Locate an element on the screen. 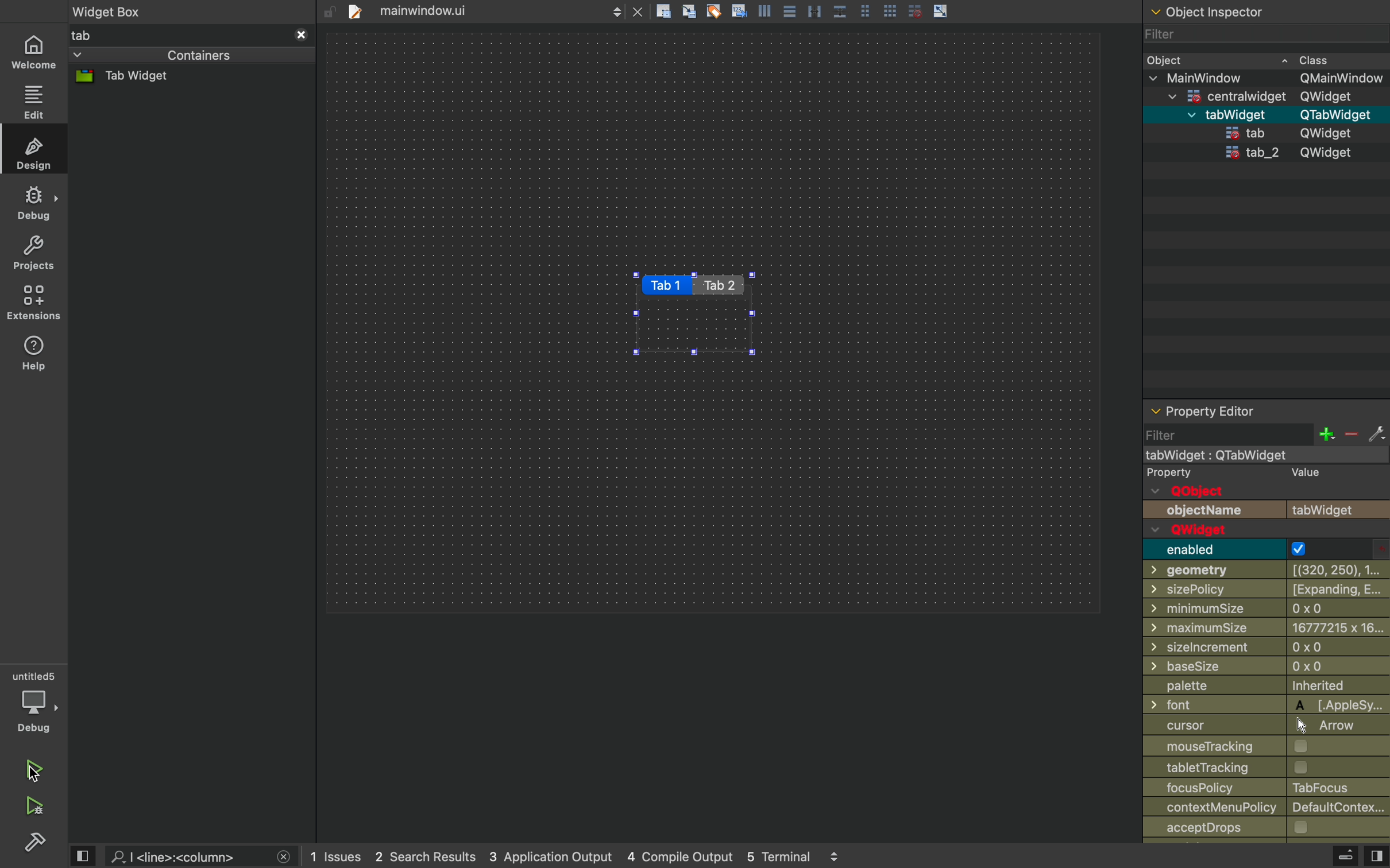 Image resolution: width=1390 pixels, height=868 pixels. sizepolicy is located at coordinates (1265, 591).